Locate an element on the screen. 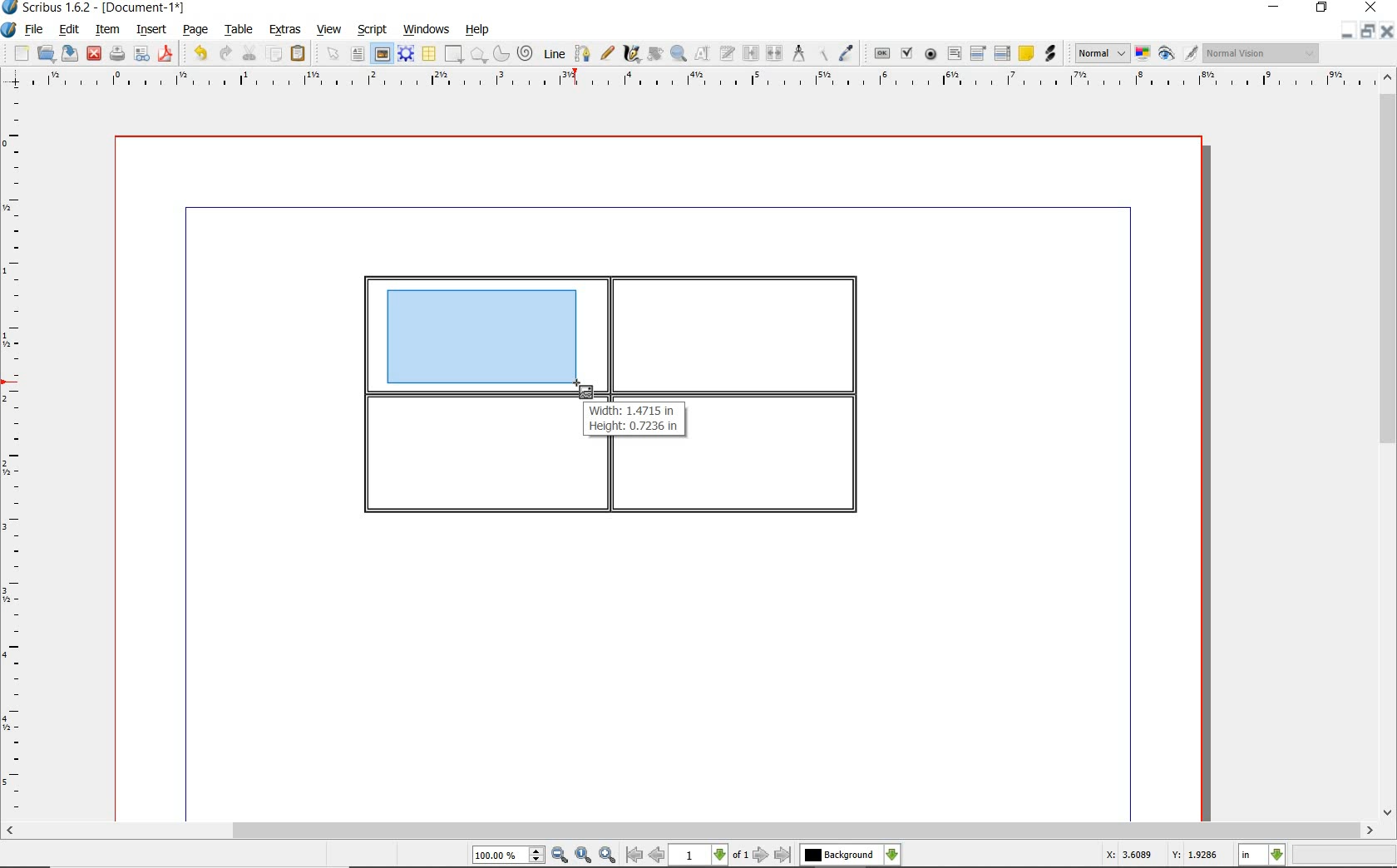 This screenshot has height=868, width=1397. zoom out is located at coordinates (560, 856).